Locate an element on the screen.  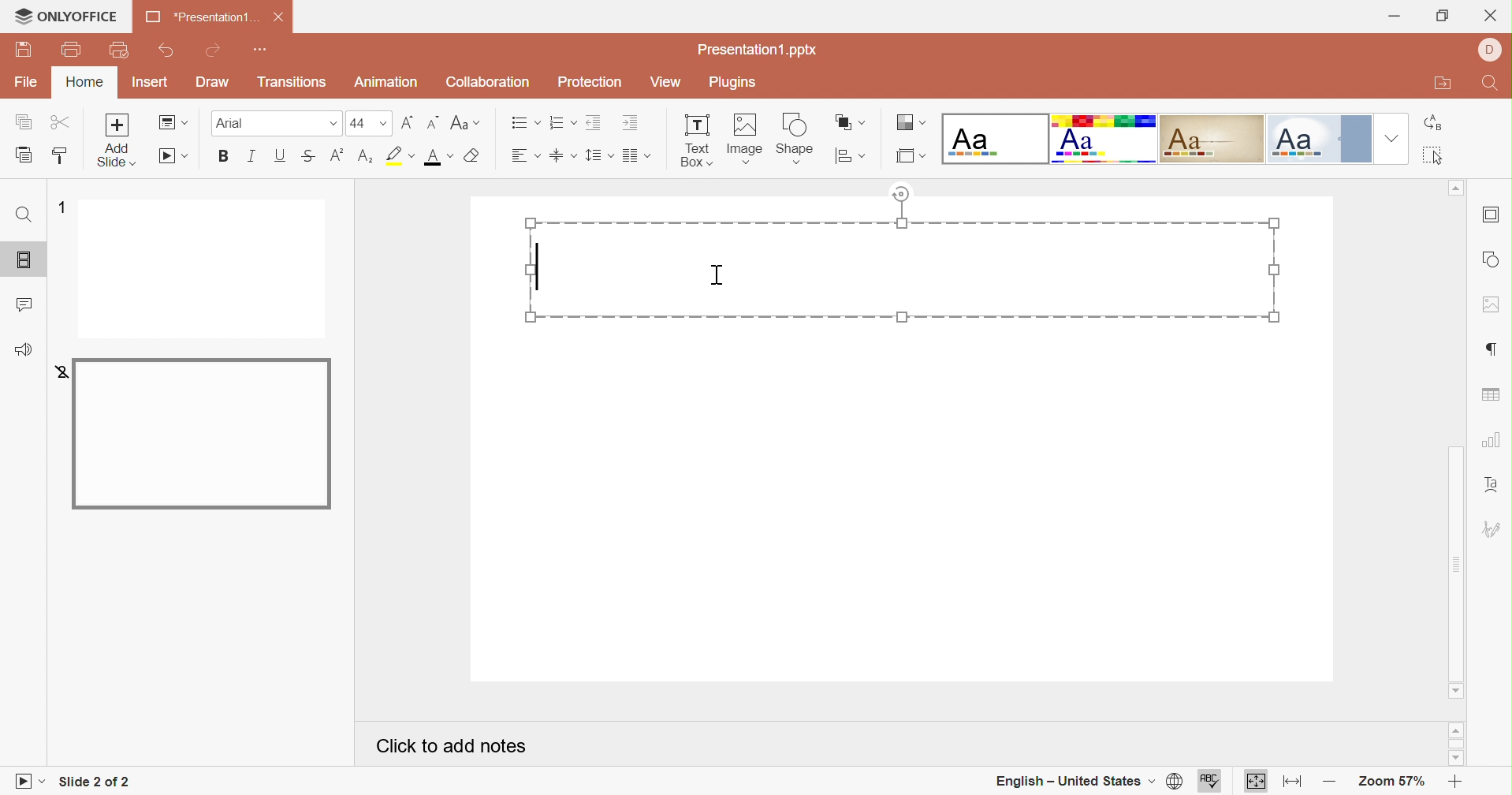
profile is located at coordinates (1490, 47).